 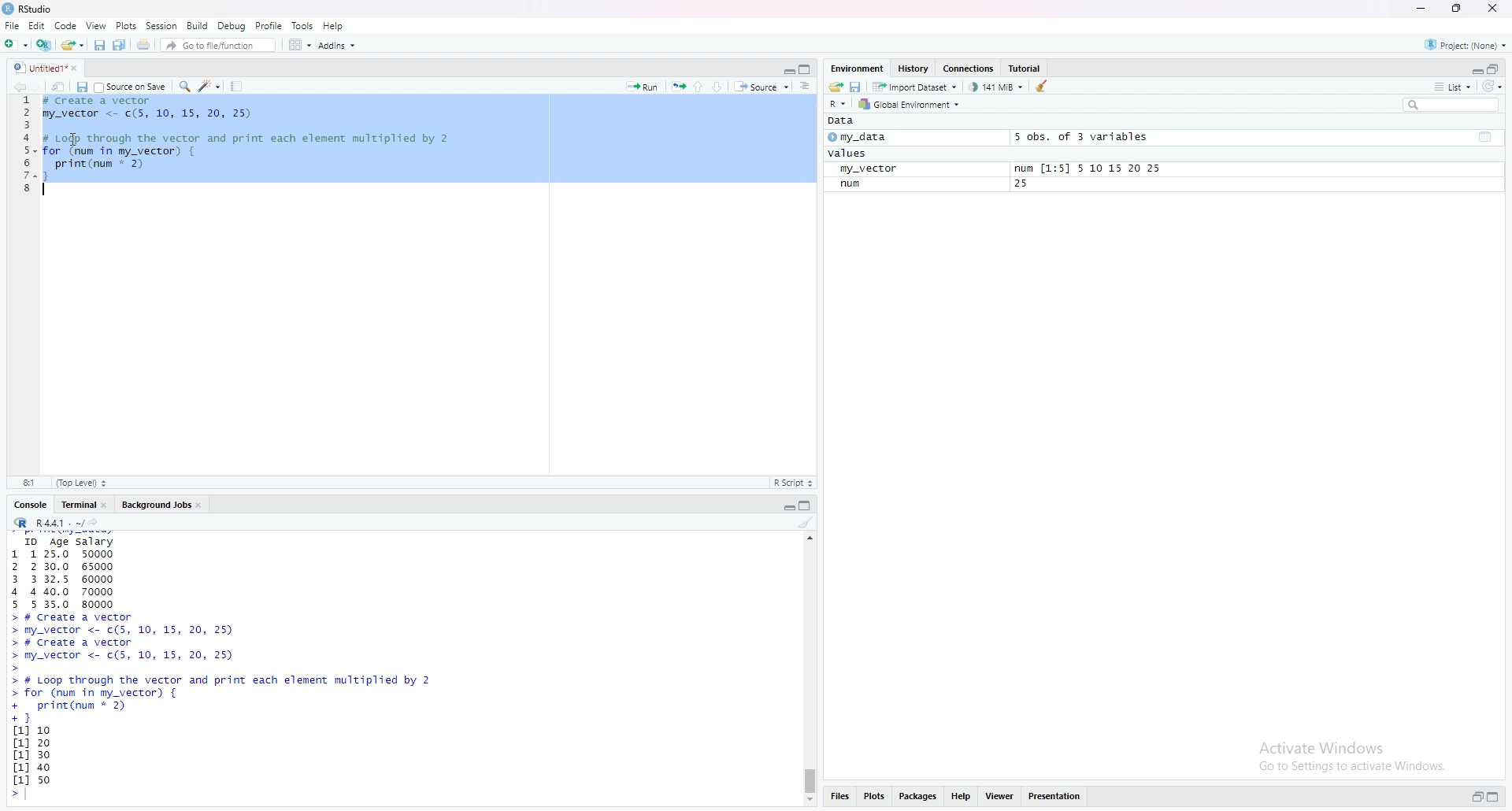 I want to click on go backwards, so click(x=17, y=87).